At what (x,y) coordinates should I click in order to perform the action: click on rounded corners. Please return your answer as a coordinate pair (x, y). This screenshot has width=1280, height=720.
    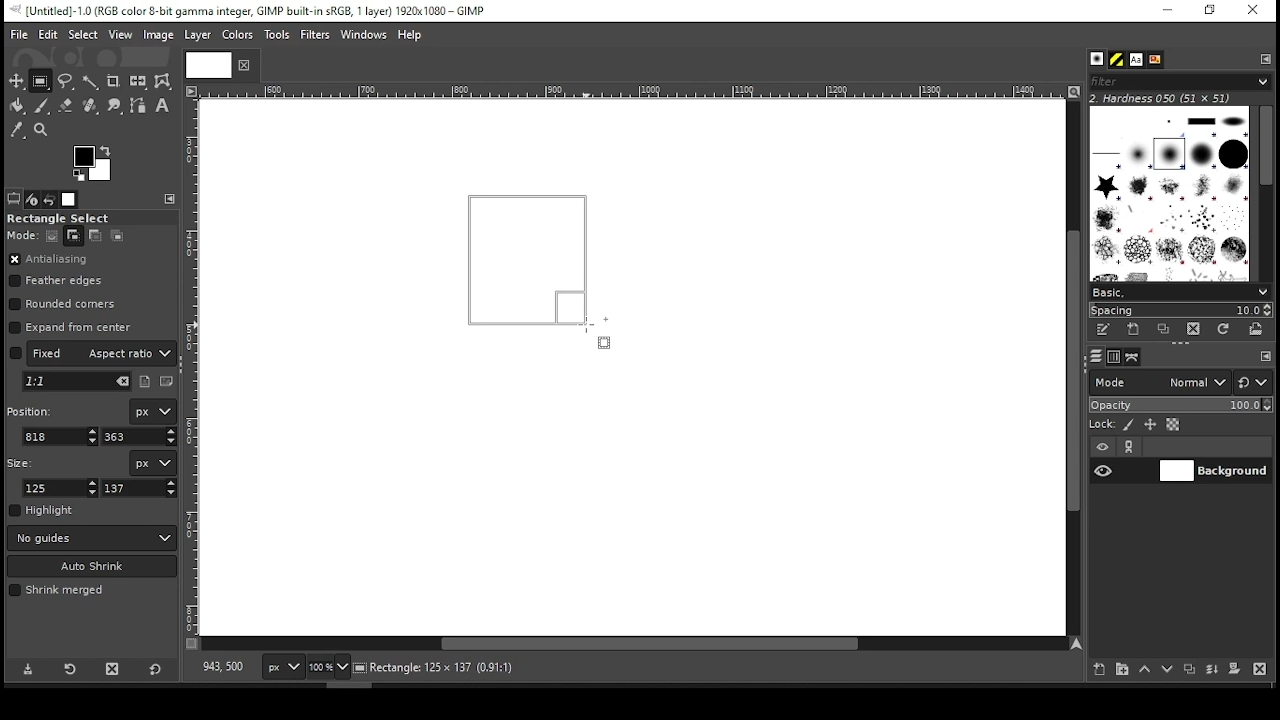
    Looking at the image, I should click on (65, 304).